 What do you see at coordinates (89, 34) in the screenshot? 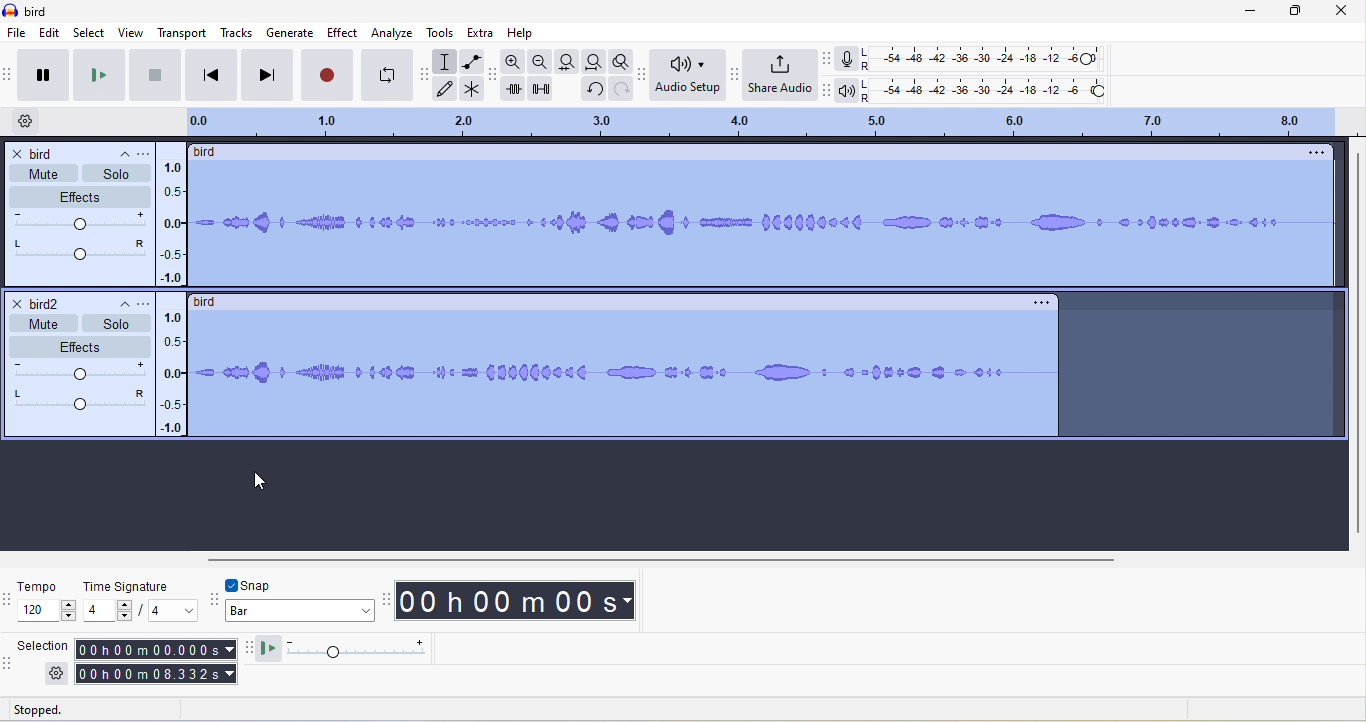
I see `select` at bounding box center [89, 34].